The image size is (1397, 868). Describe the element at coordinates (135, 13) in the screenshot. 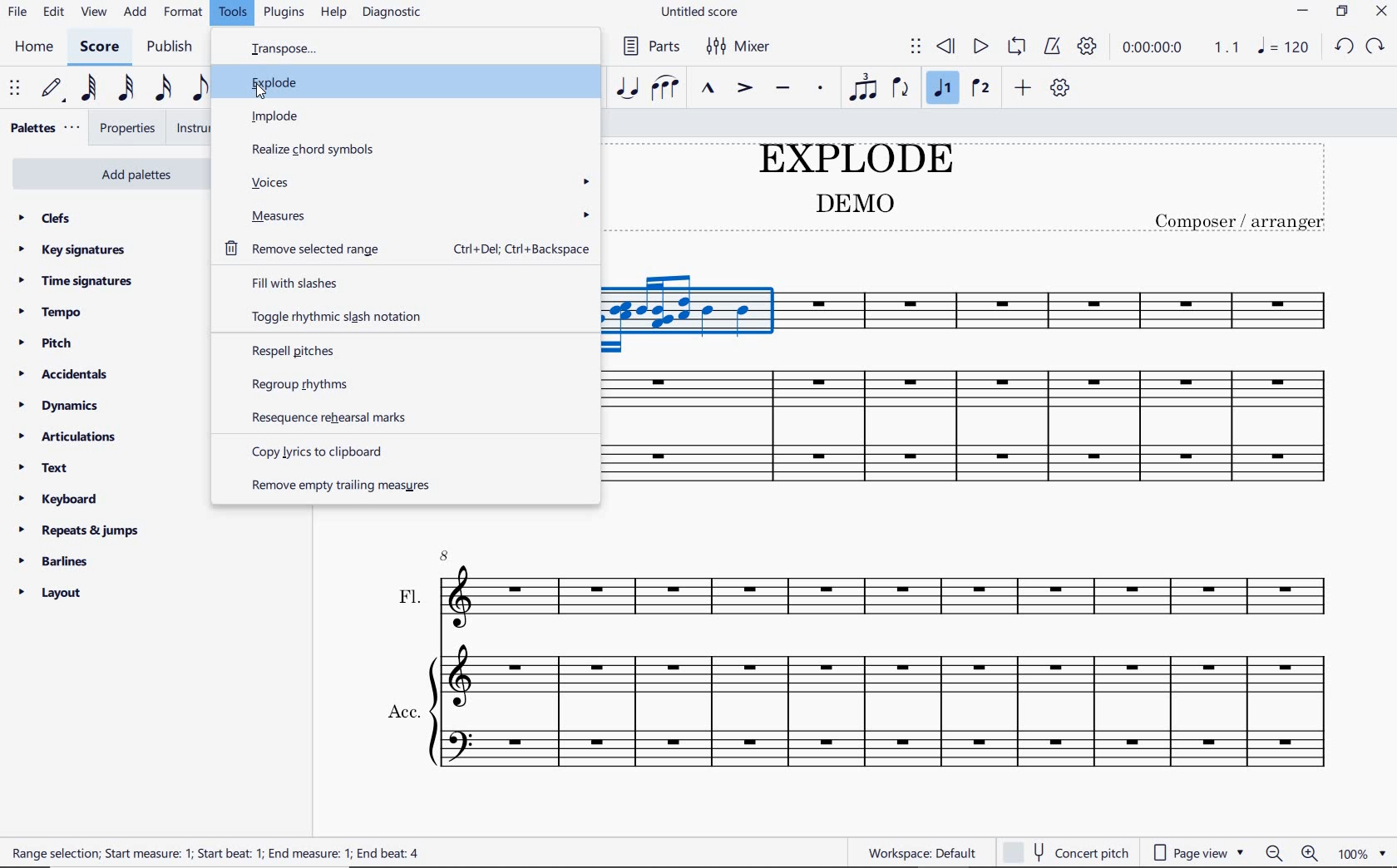

I see `add` at that location.